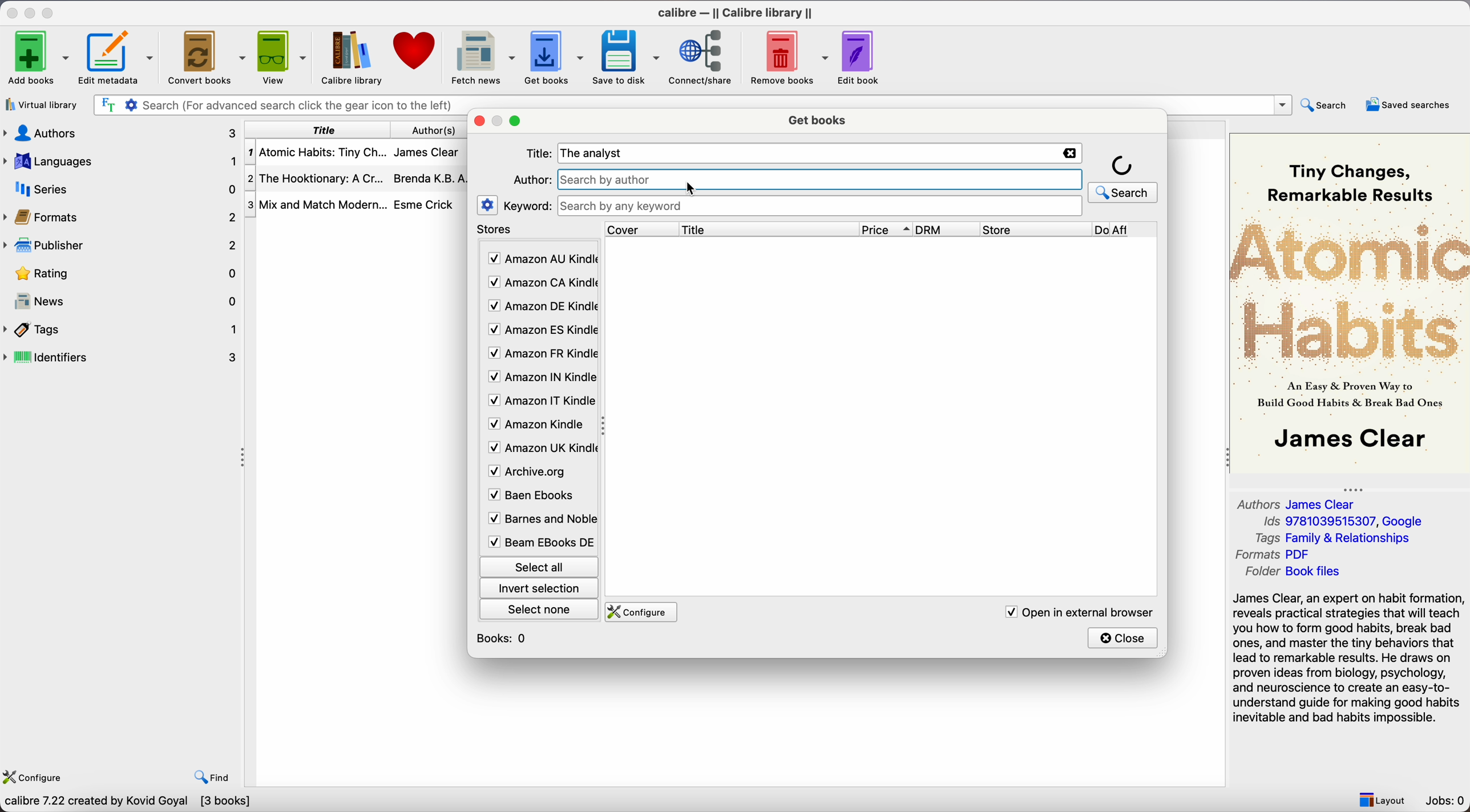  What do you see at coordinates (123, 302) in the screenshot?
I see `news` at bounding box center [123, 302].